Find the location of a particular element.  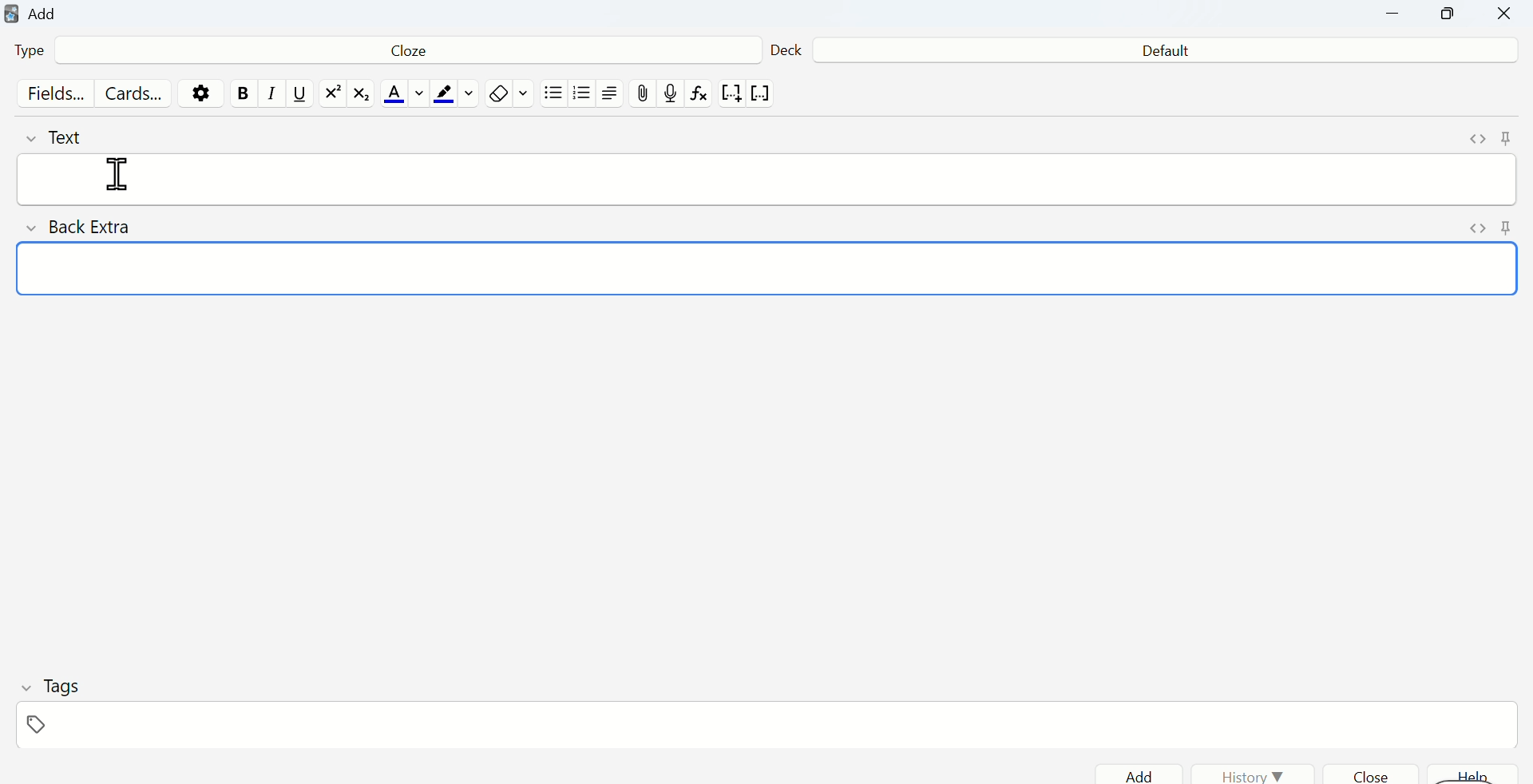

Close is located at coordinates (1503, 16).